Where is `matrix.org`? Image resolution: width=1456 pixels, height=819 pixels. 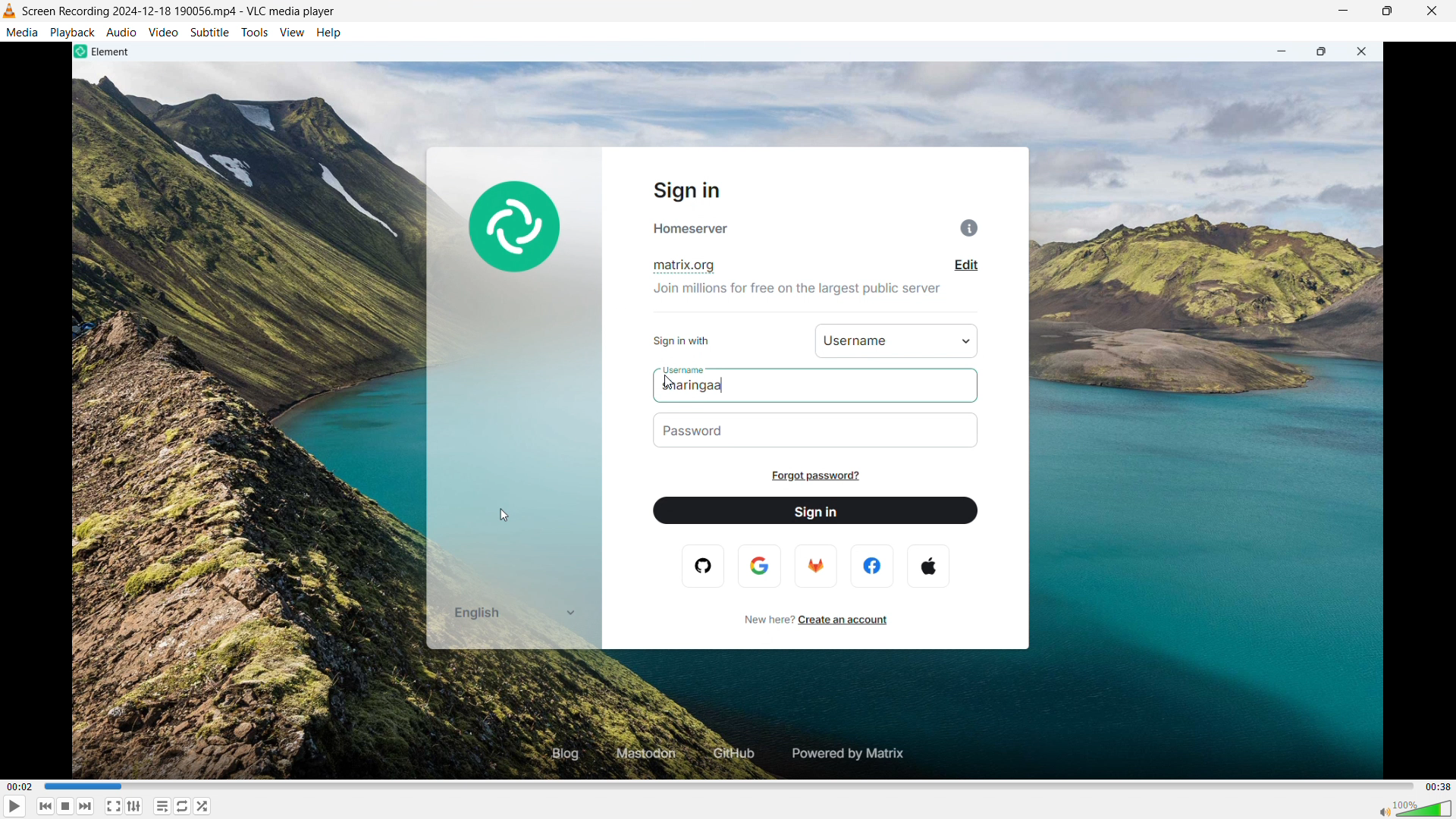
matrix.org is located at coordinates (688, 266).